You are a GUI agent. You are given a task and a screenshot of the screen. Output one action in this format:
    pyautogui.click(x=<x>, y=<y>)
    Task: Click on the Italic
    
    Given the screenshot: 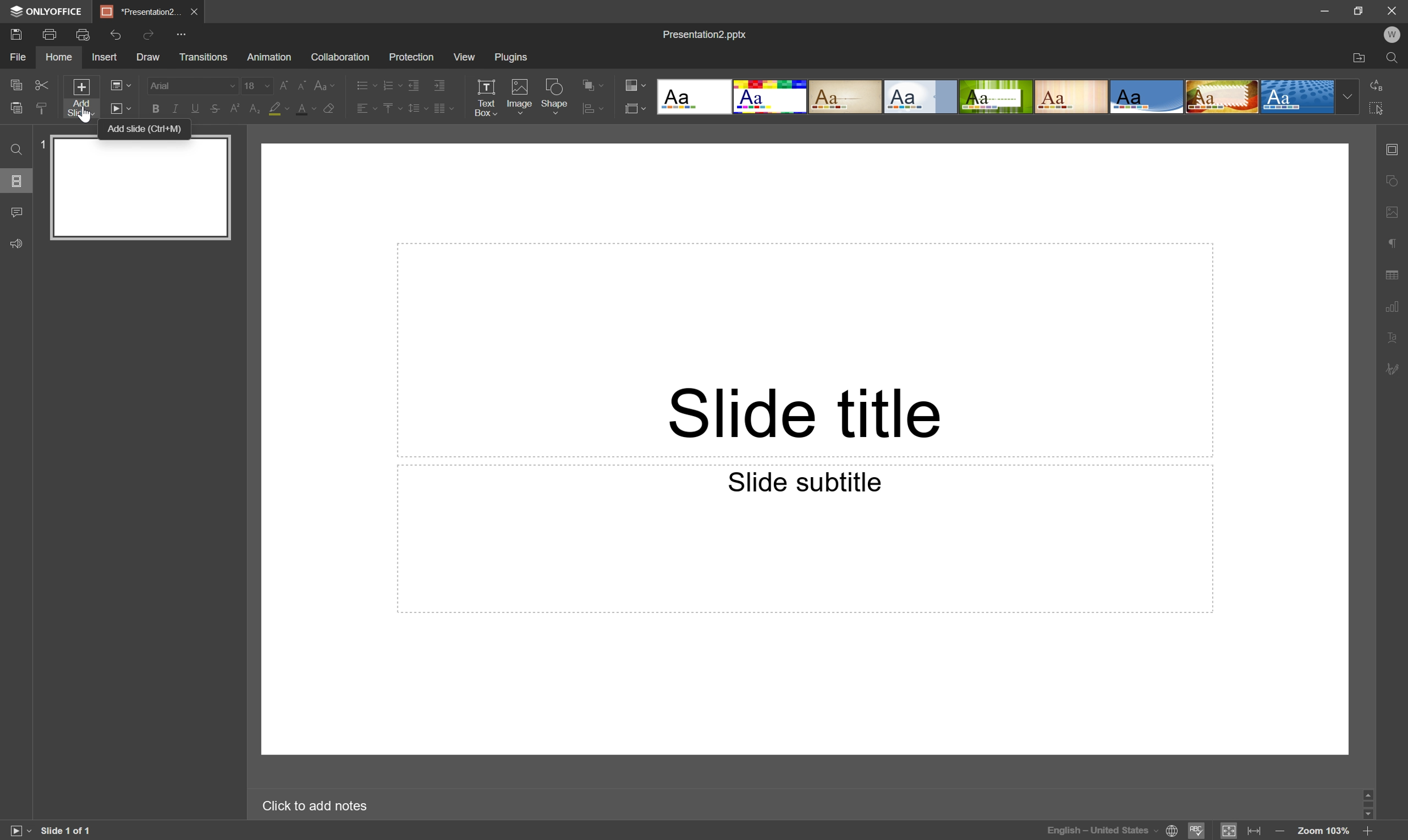 What is the action you would take?
    pyautogui.click(x=173, y=110)
    